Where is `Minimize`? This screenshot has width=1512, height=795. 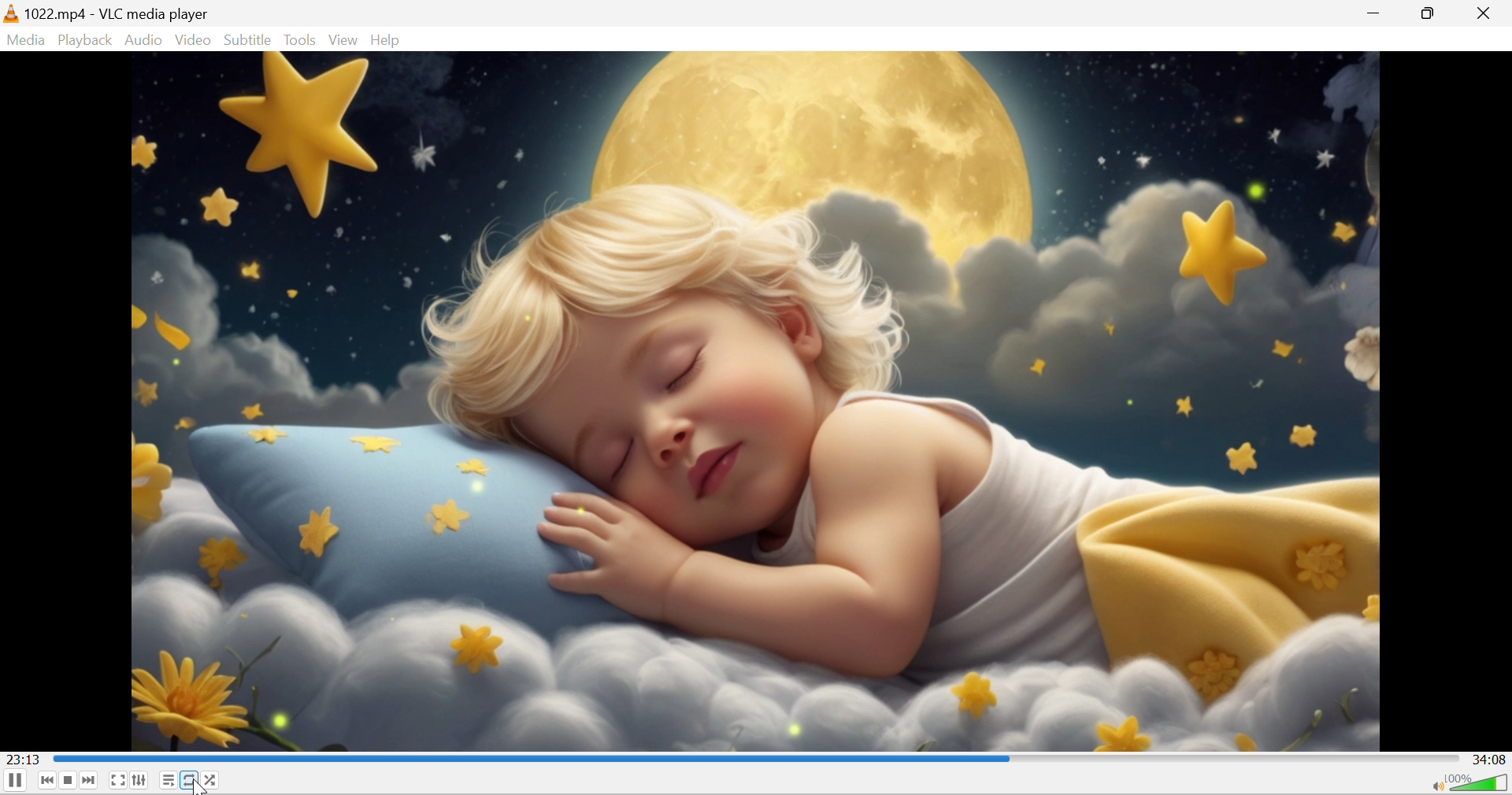
Minimize is located at coordinates (1377, 13).